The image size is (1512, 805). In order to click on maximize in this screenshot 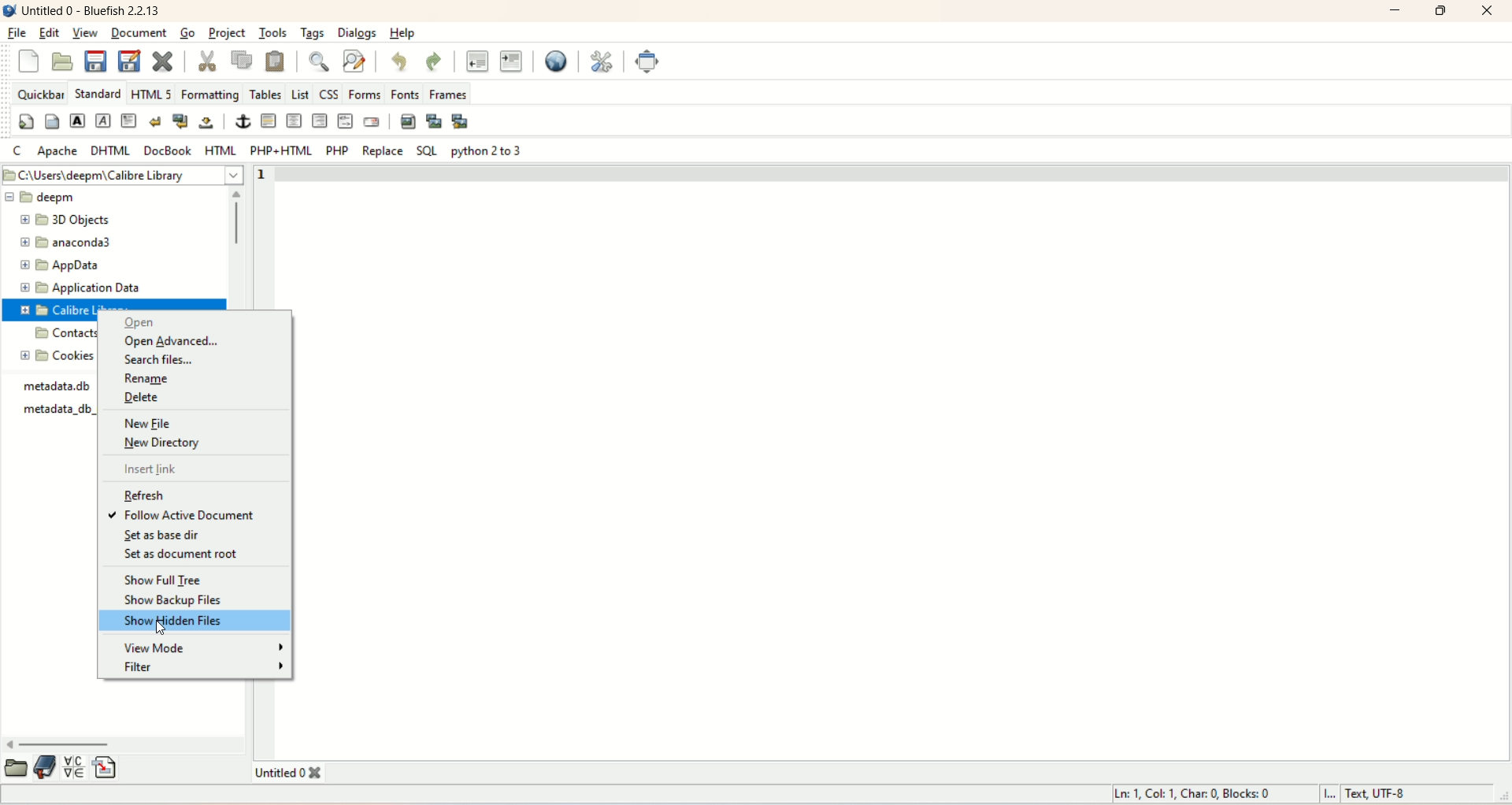, I will do `click(1442, 12)`.